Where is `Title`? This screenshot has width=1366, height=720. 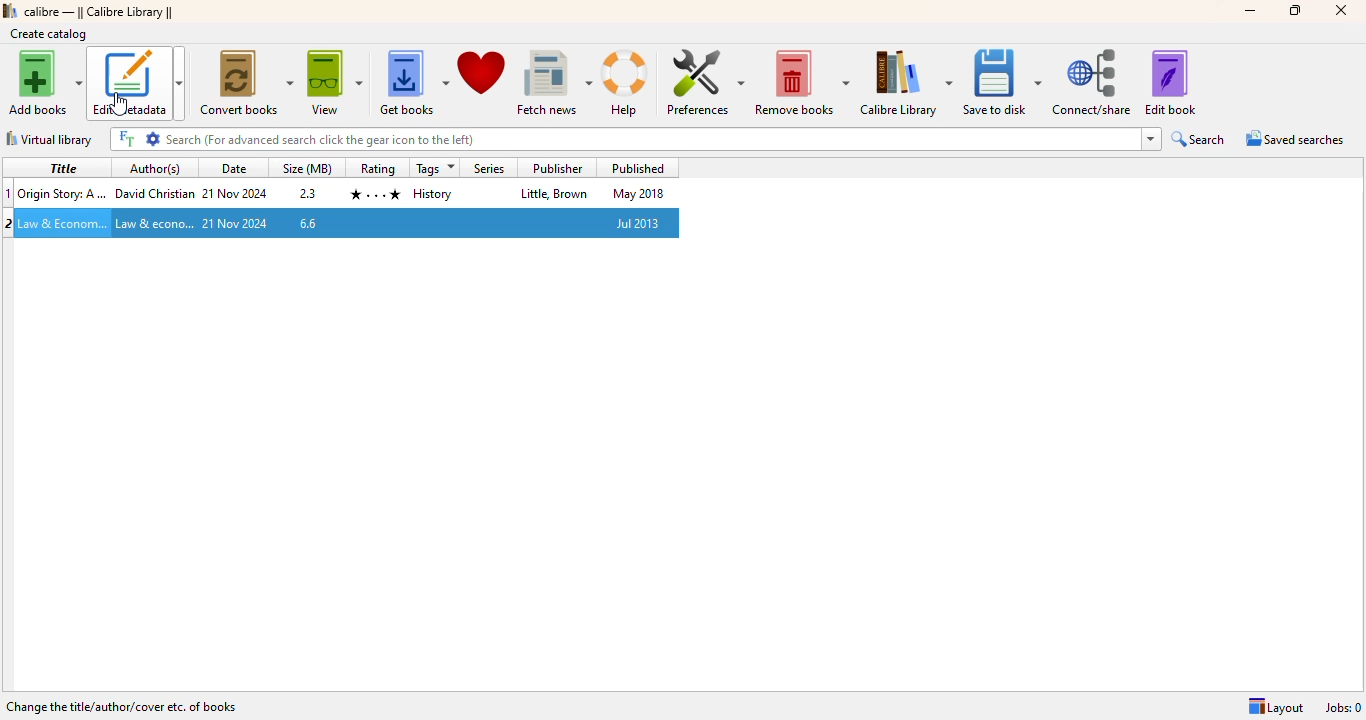 Title is located at coordinates (65, 191).